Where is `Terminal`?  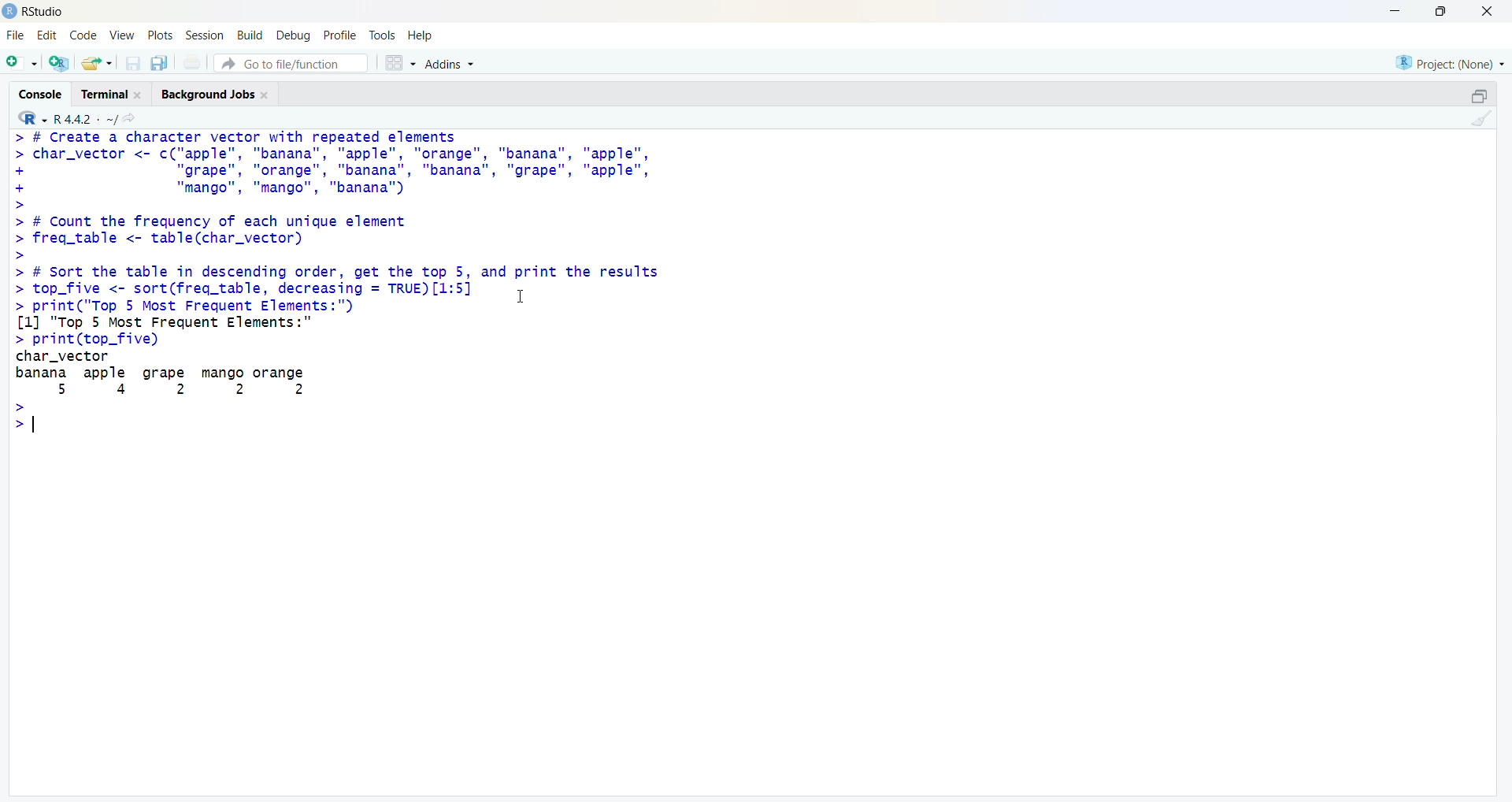 Terminal is located at coordinates (113, 93).